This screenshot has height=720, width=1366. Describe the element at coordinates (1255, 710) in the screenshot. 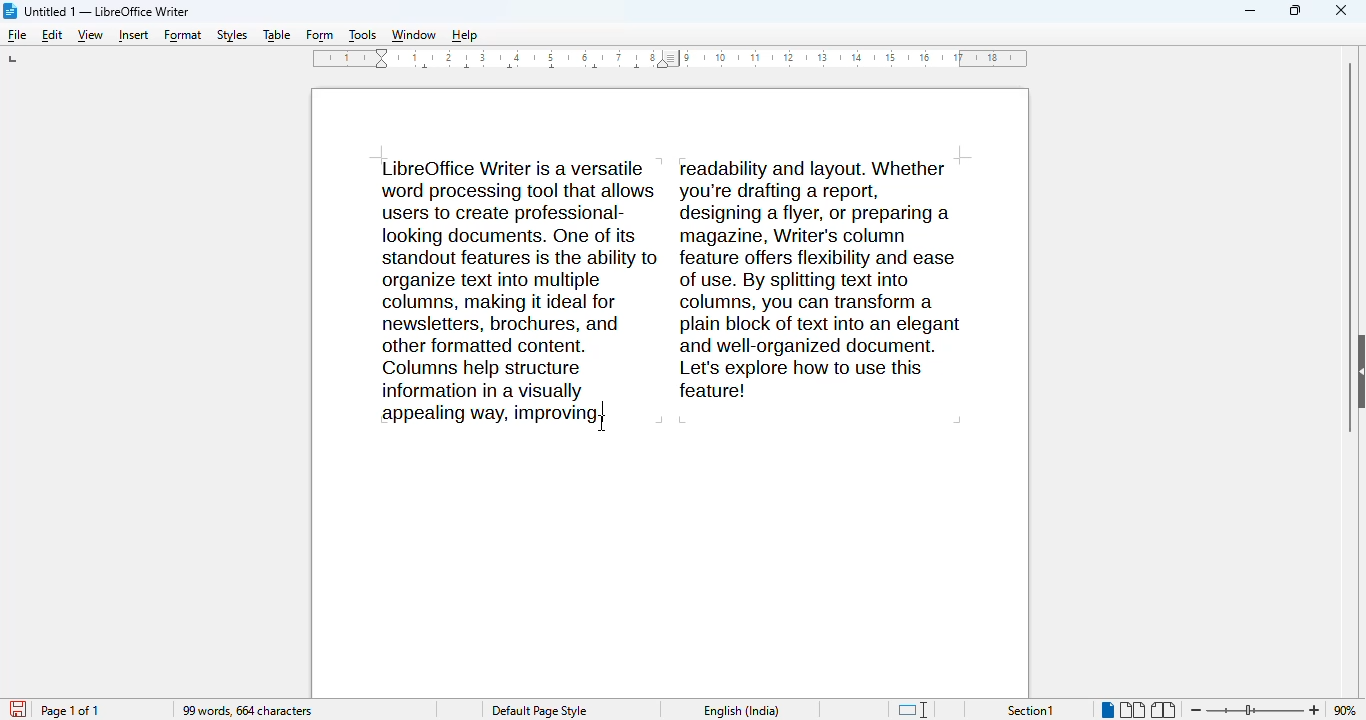

I see `zoom in or zoom out bar` at that location.